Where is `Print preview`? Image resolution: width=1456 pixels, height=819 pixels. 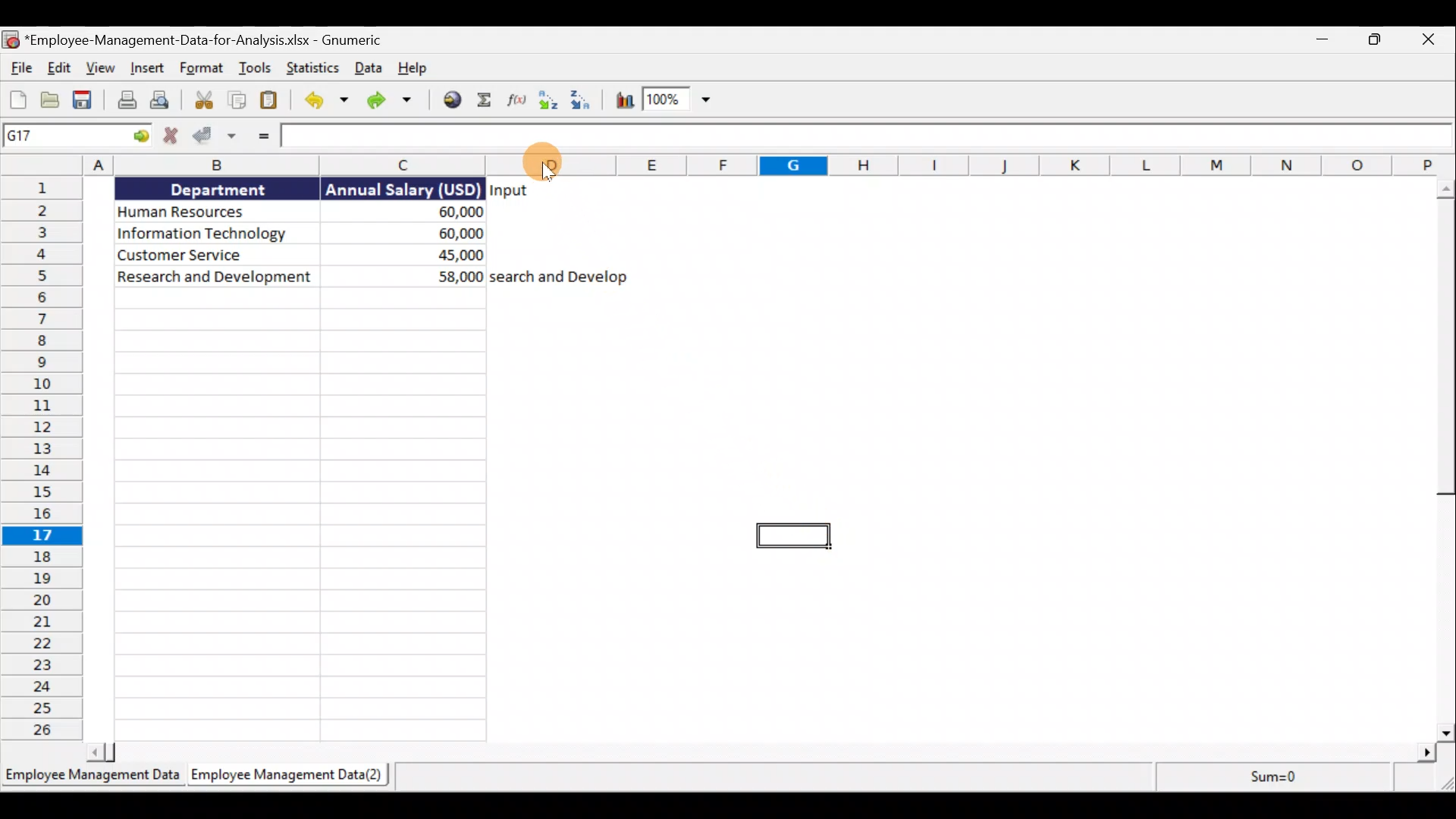
Print preview is located at coordinates (162, 101).